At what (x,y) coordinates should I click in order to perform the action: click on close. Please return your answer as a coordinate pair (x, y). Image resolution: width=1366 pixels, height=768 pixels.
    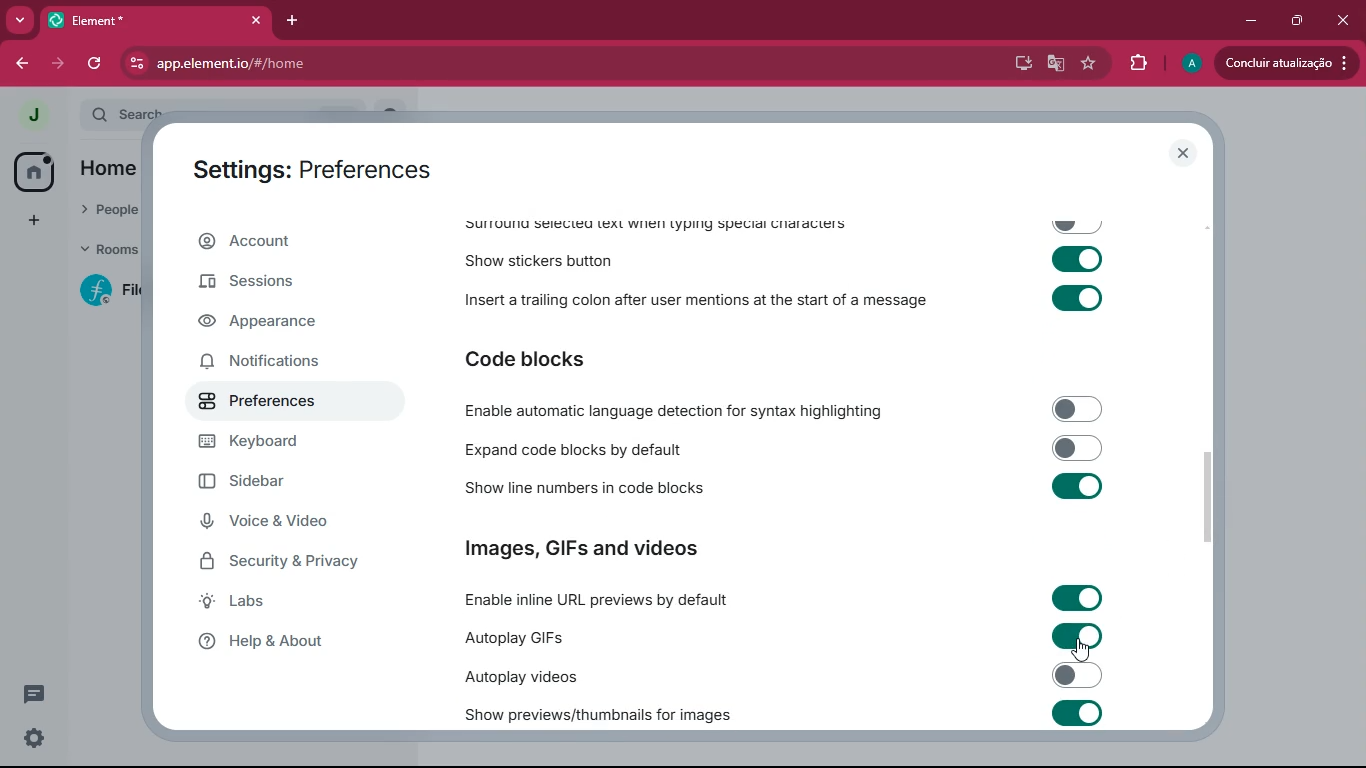
    Looking at the image, I should click on (1344, 20).